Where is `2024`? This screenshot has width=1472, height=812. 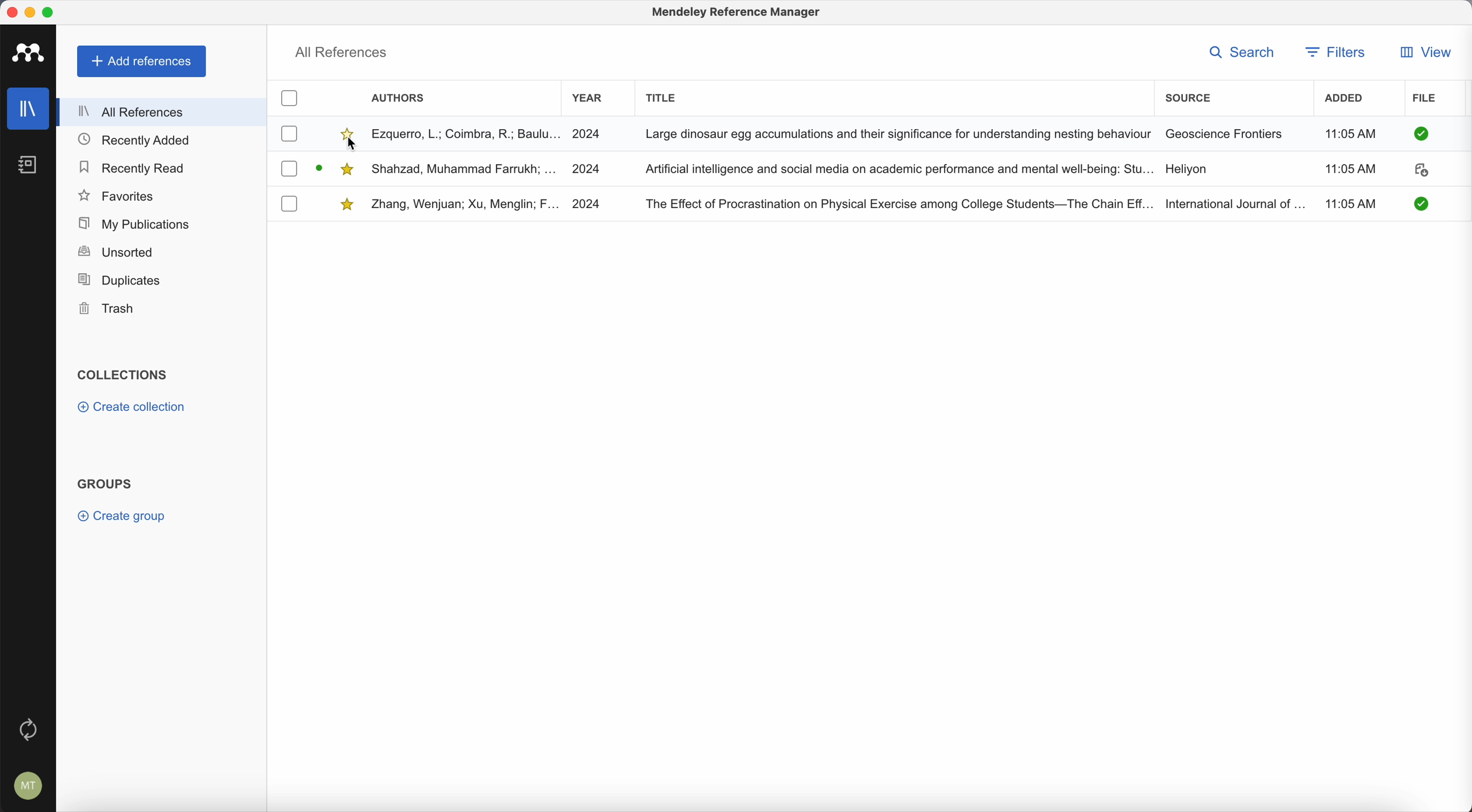
2024 is located at coordinates (589, 170).